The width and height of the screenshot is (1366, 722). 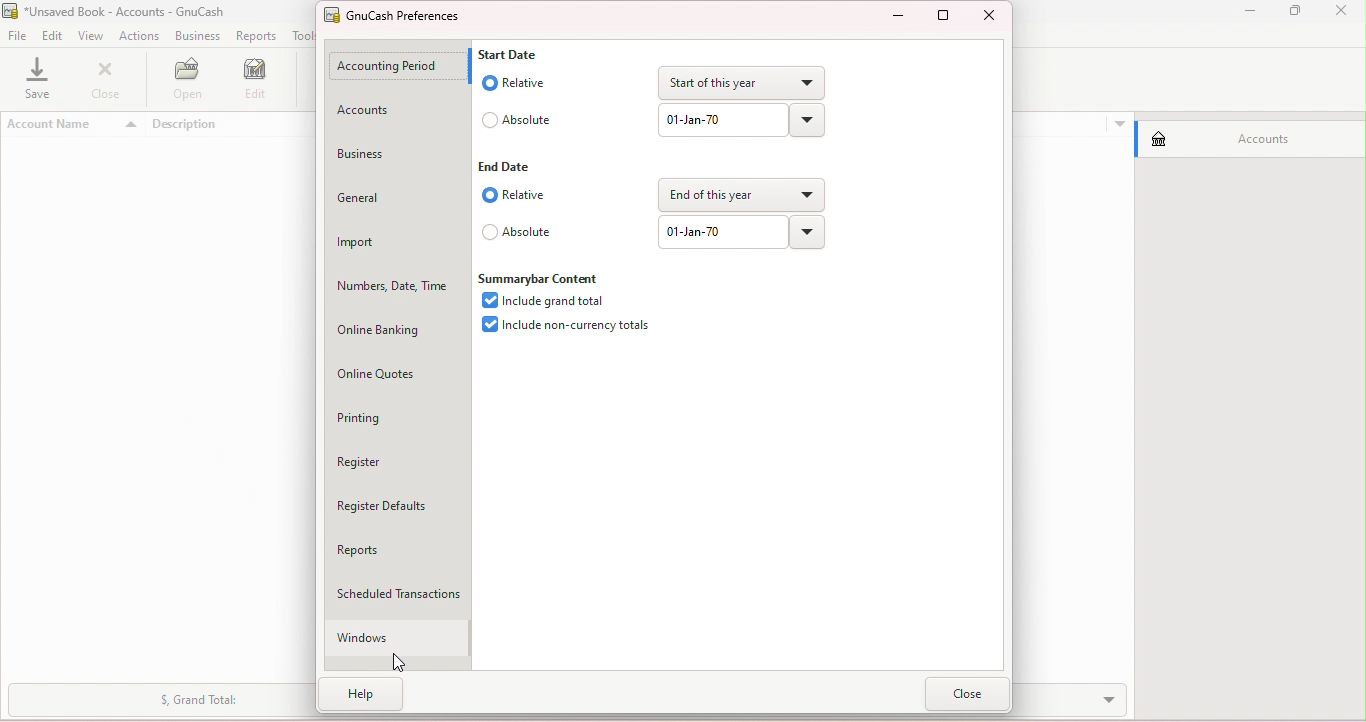 What do you see at coordinates (541, 277) in the screenshot?
I see `SummaryBar content` at bounding box center [541, 277].